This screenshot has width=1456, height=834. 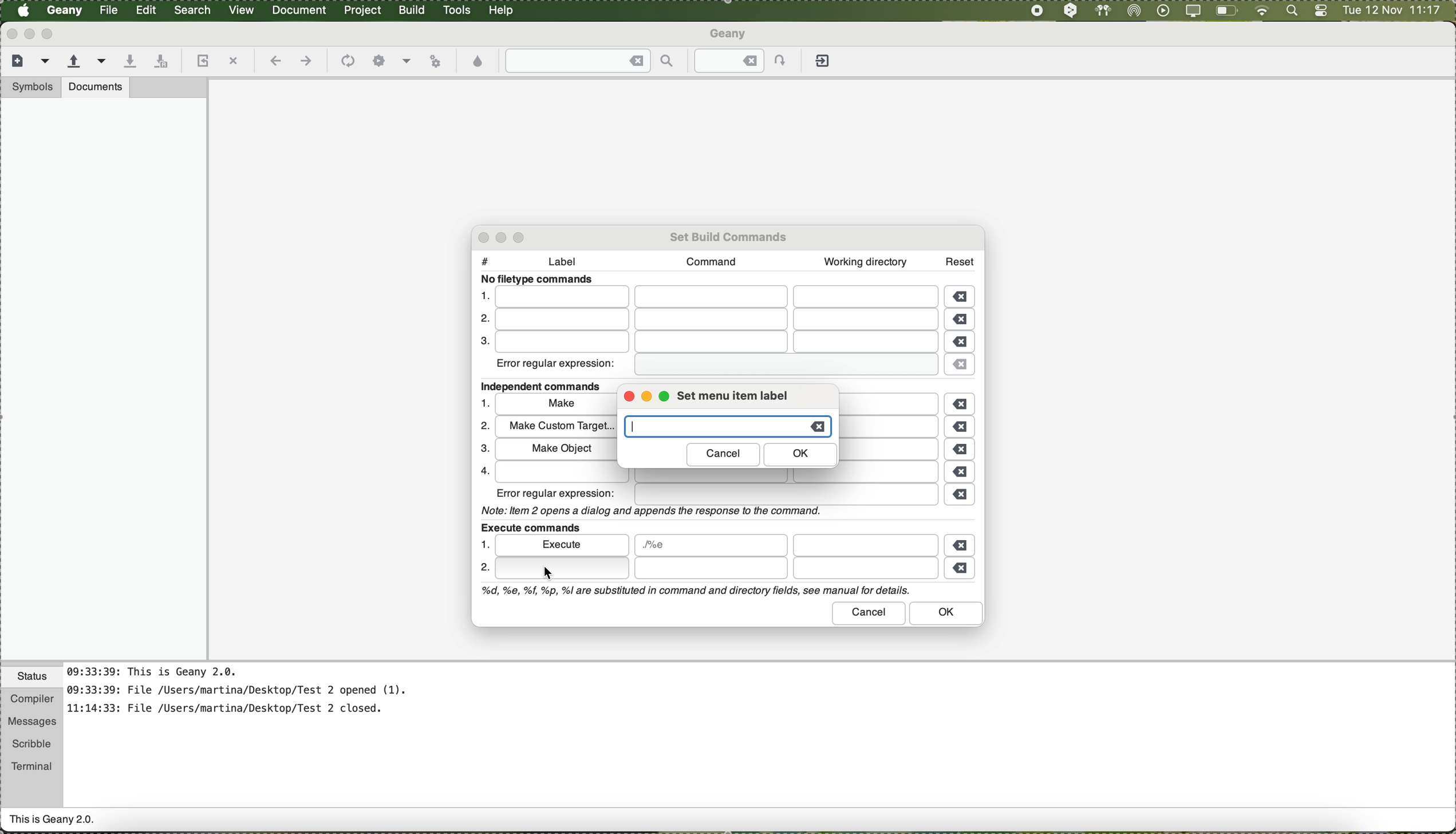 I want to click on Apple icon, so click(x=23, y=10).